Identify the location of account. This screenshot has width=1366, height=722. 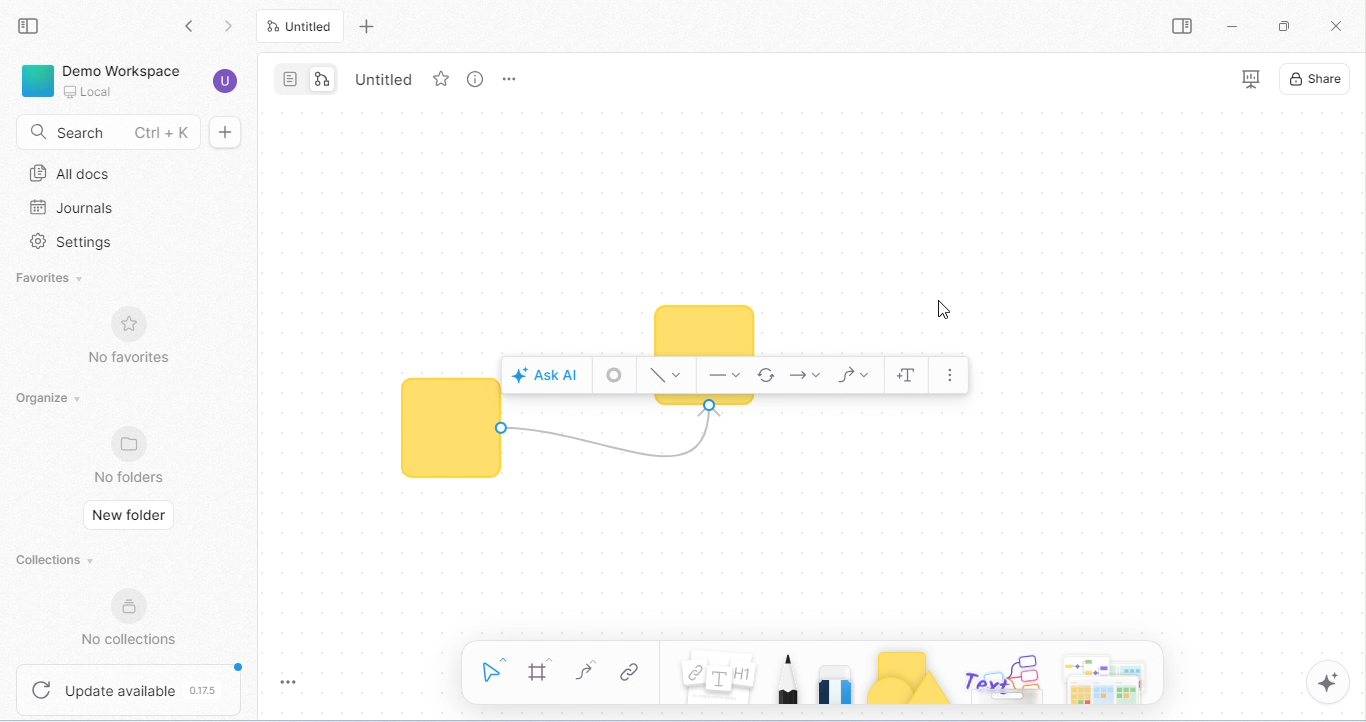
(226, 83).